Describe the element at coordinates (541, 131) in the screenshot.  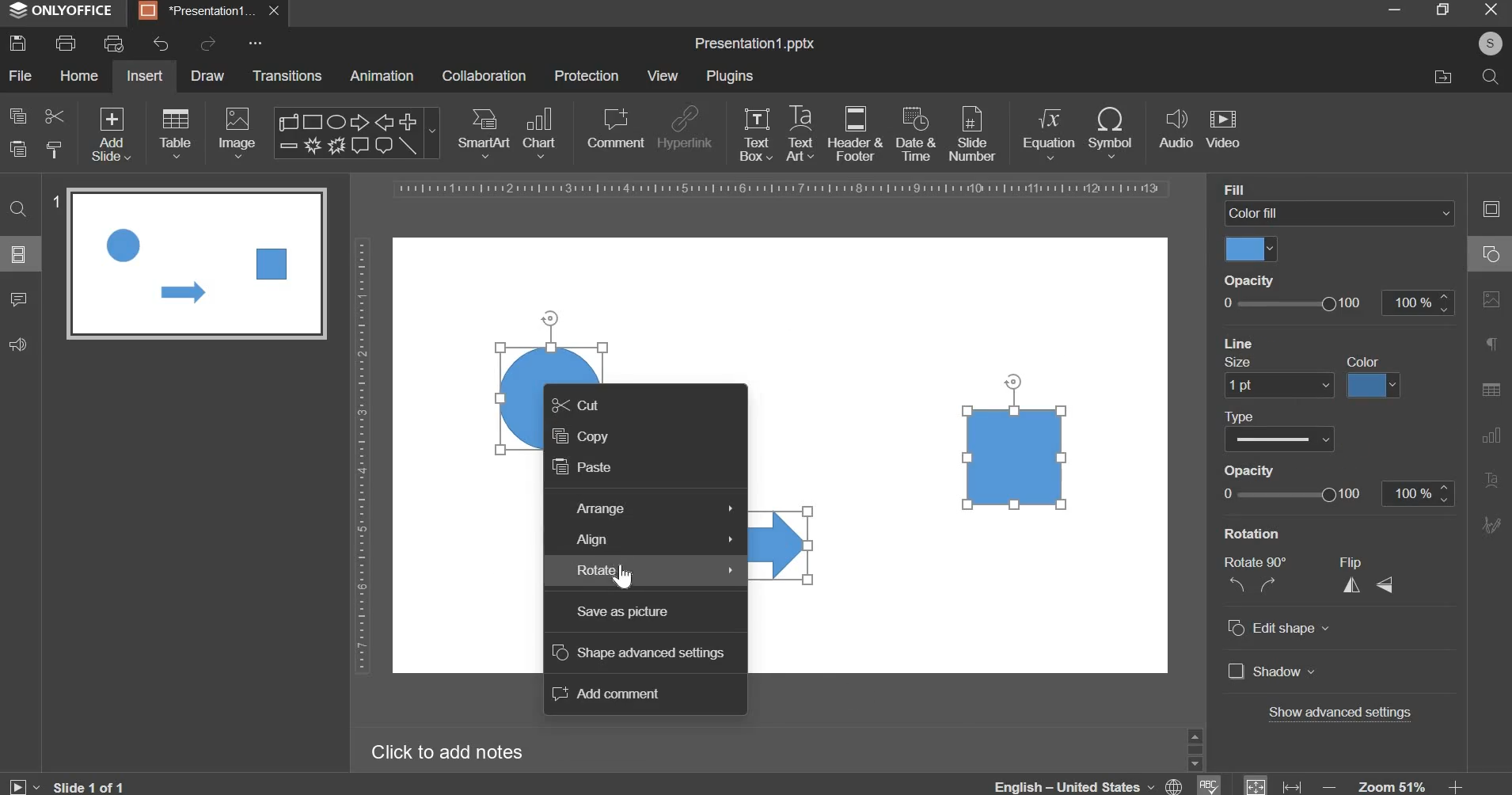
I see `chart` at that location.